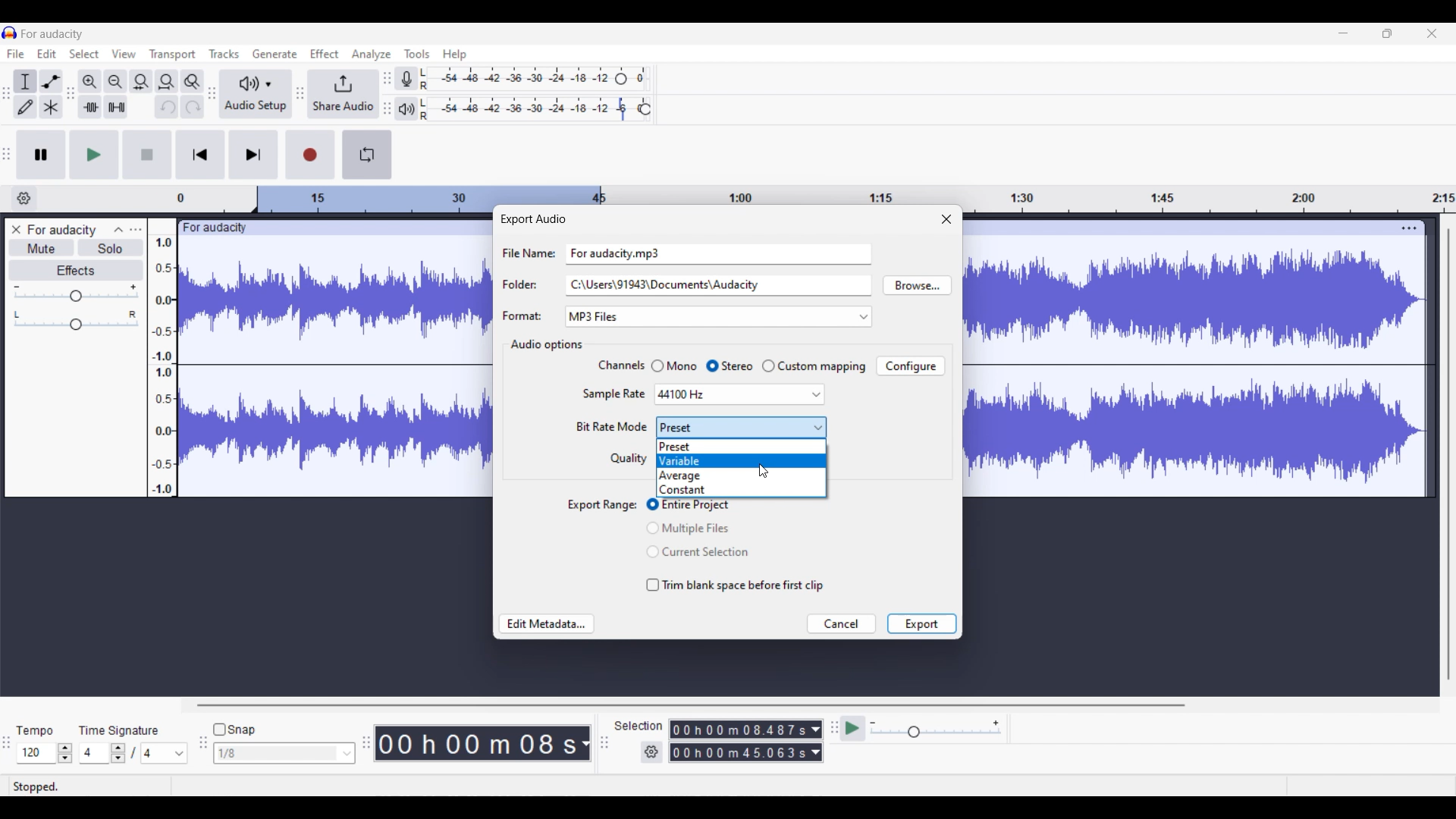 Image resolution: width=1456 pixels, height=819 pixels. I want to click on Duration measurement, so click(815, 752).